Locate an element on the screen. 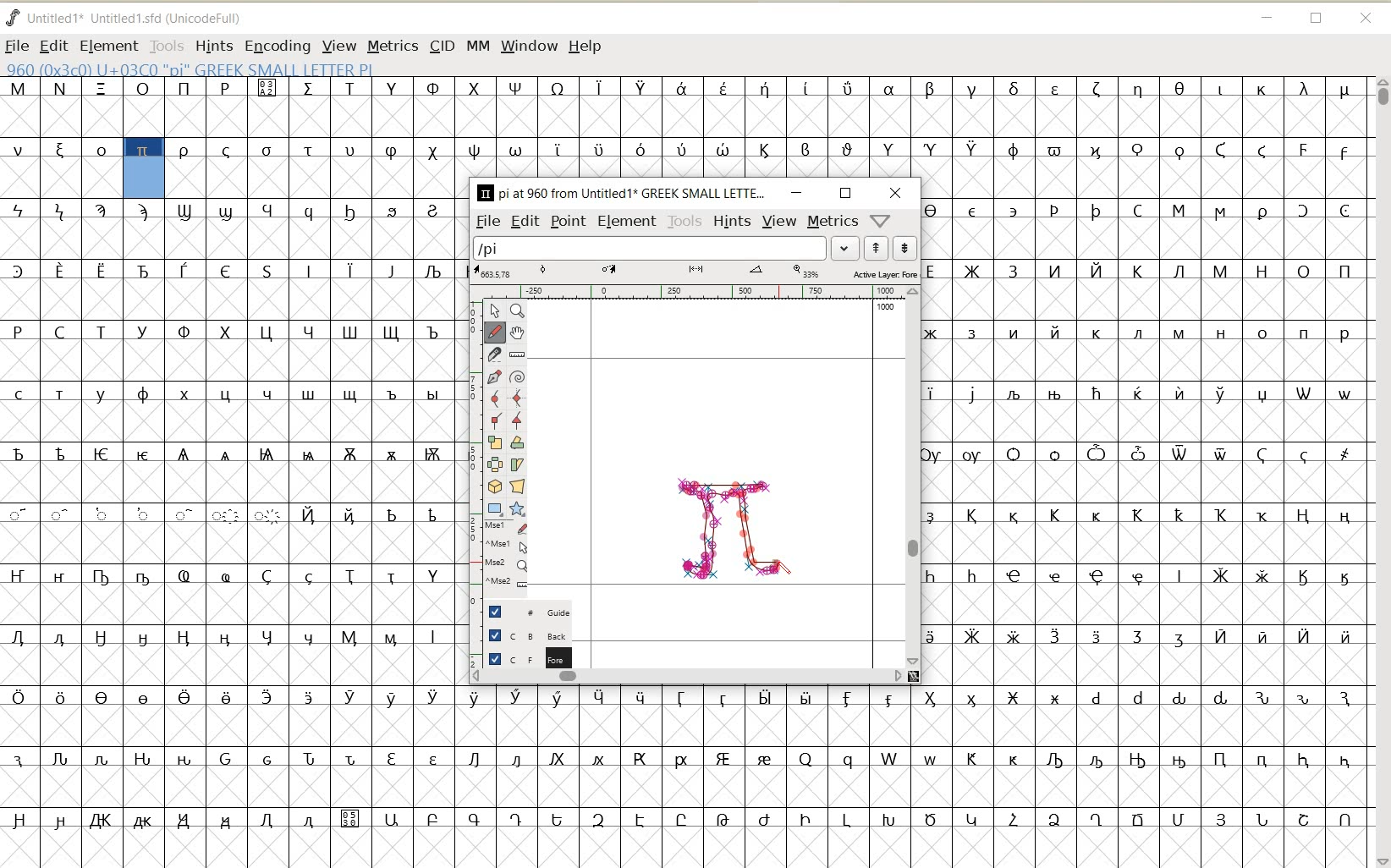  TOOLS is located at coordinates (683, 222).